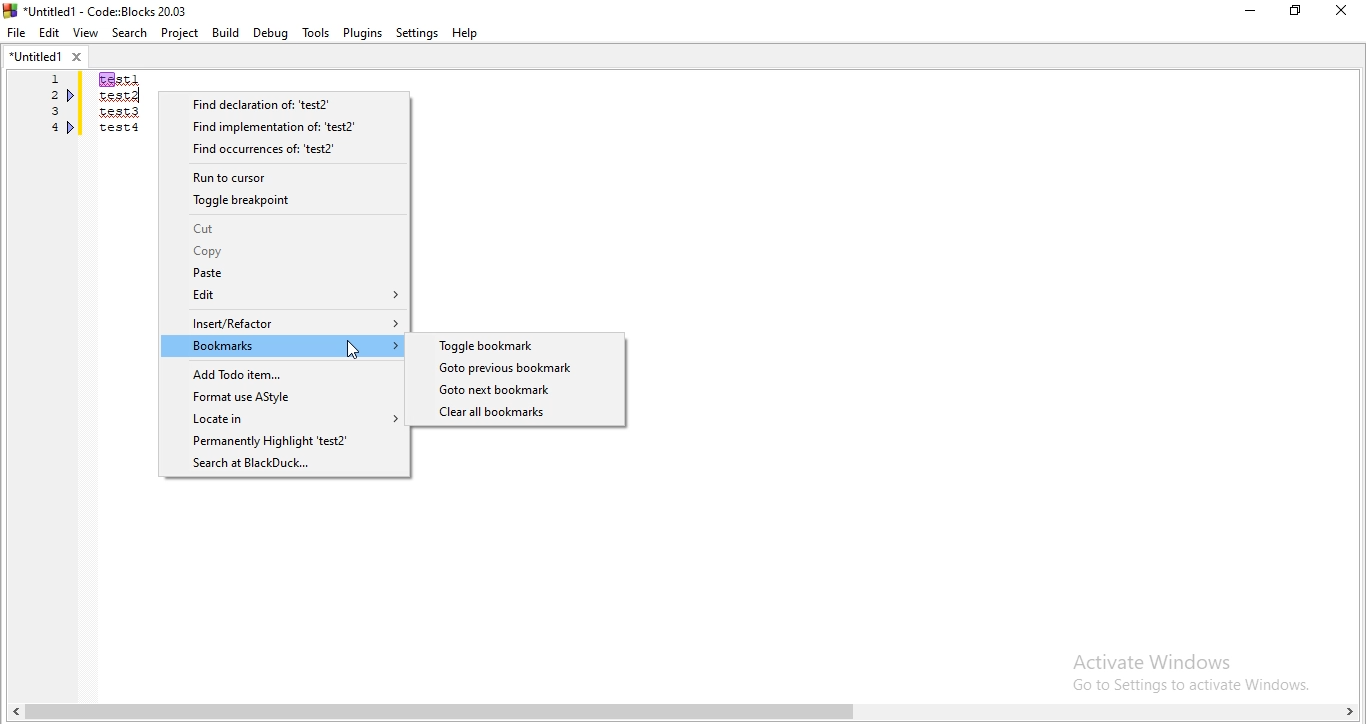 The height and width of the screenshot is (724, 1366). I want to click on Find declaration of: "test2" , so click(287, 104).